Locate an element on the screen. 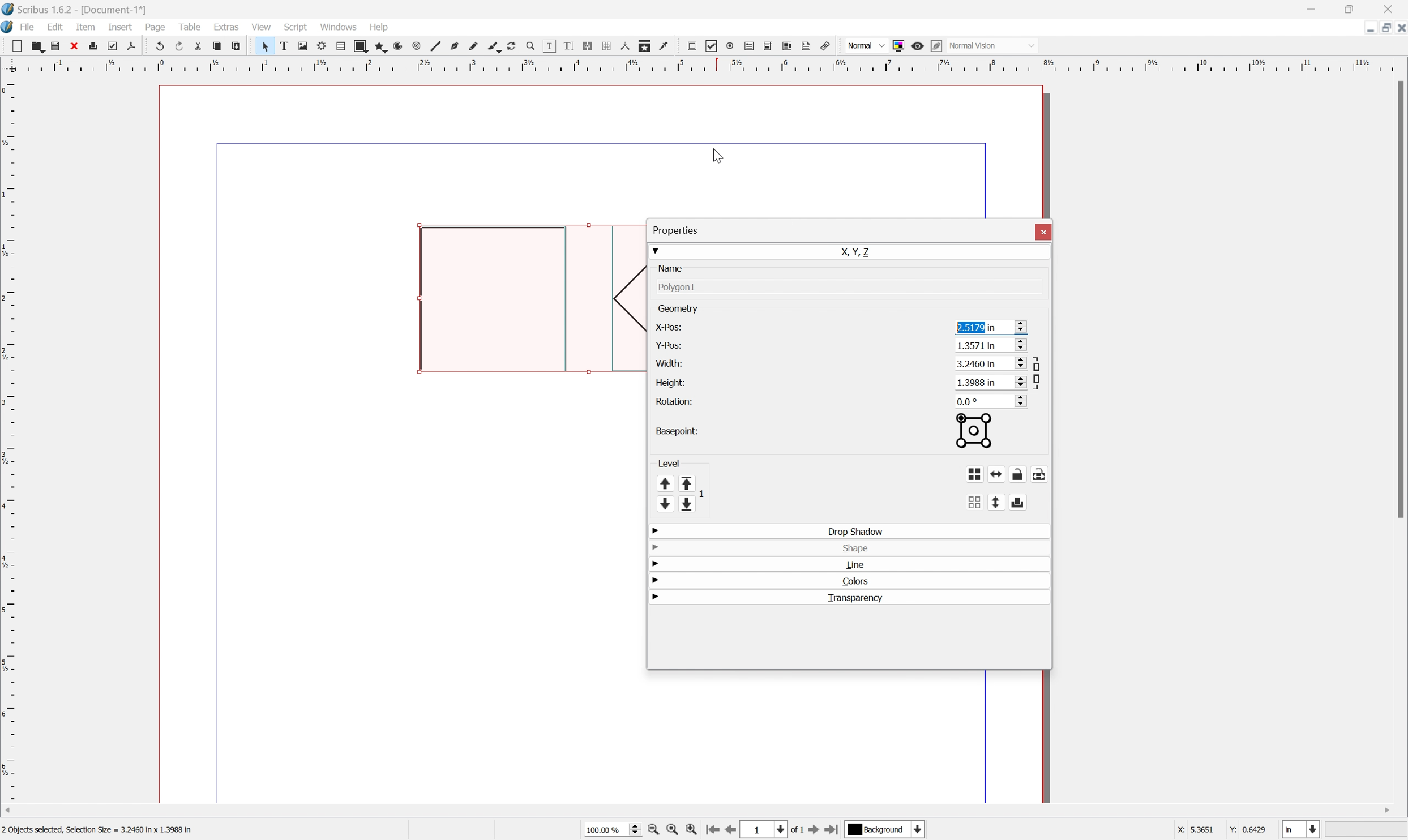  Scroll Bar is located at coordinates (1399, 299).